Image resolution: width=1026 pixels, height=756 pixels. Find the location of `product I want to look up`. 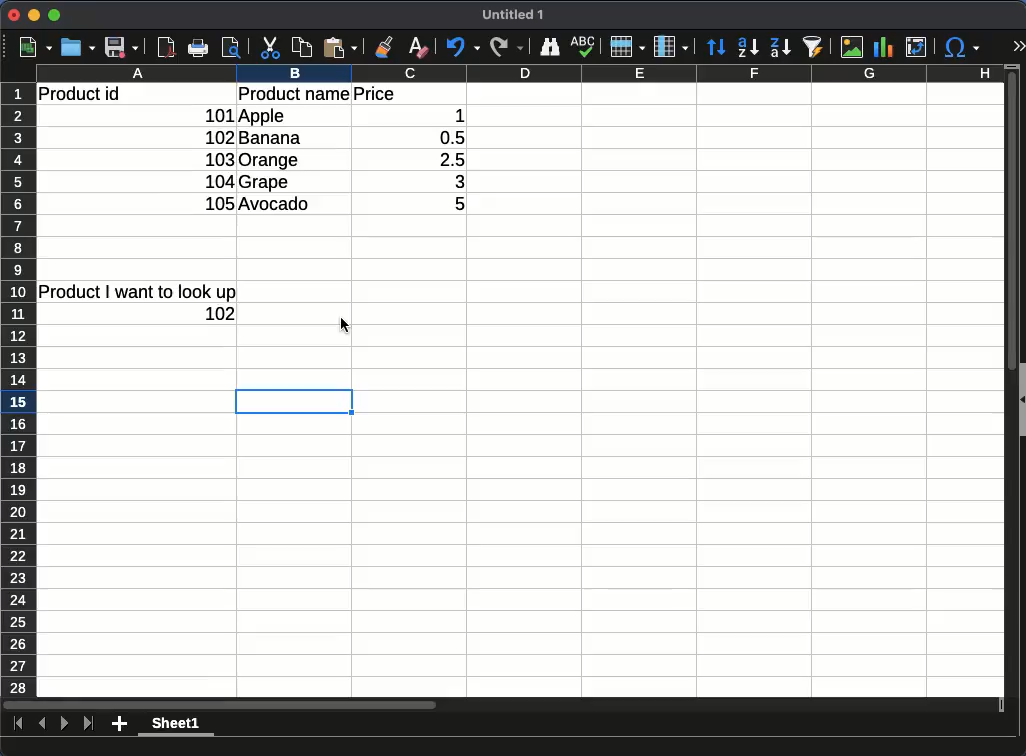

product I want to look up is located at coordinates (137, 292).